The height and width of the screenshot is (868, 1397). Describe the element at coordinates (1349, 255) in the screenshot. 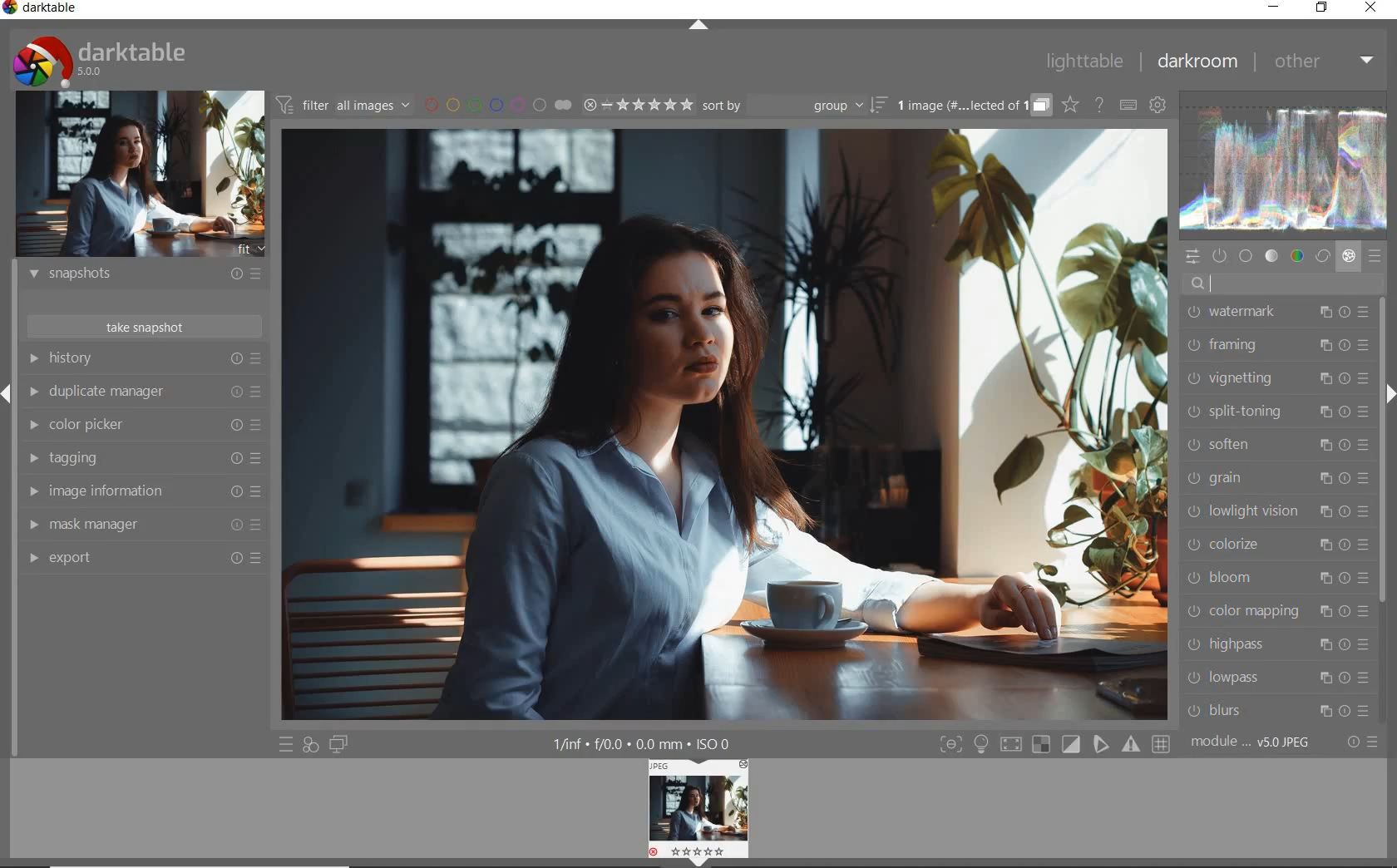

I see `effect` at that location.